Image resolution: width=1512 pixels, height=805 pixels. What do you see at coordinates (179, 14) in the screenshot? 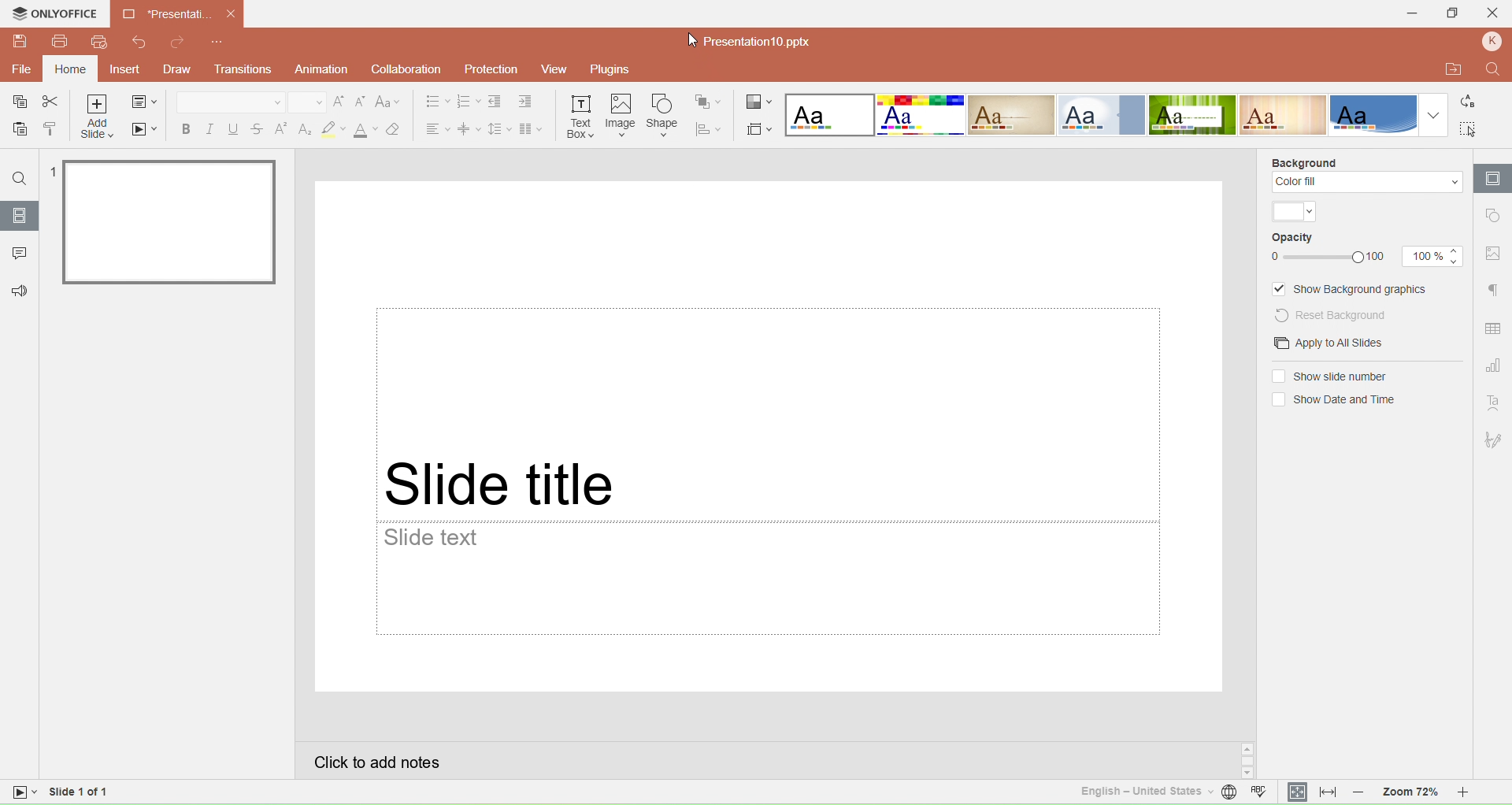
I see `Presentation` at bounding box center [179, 14].